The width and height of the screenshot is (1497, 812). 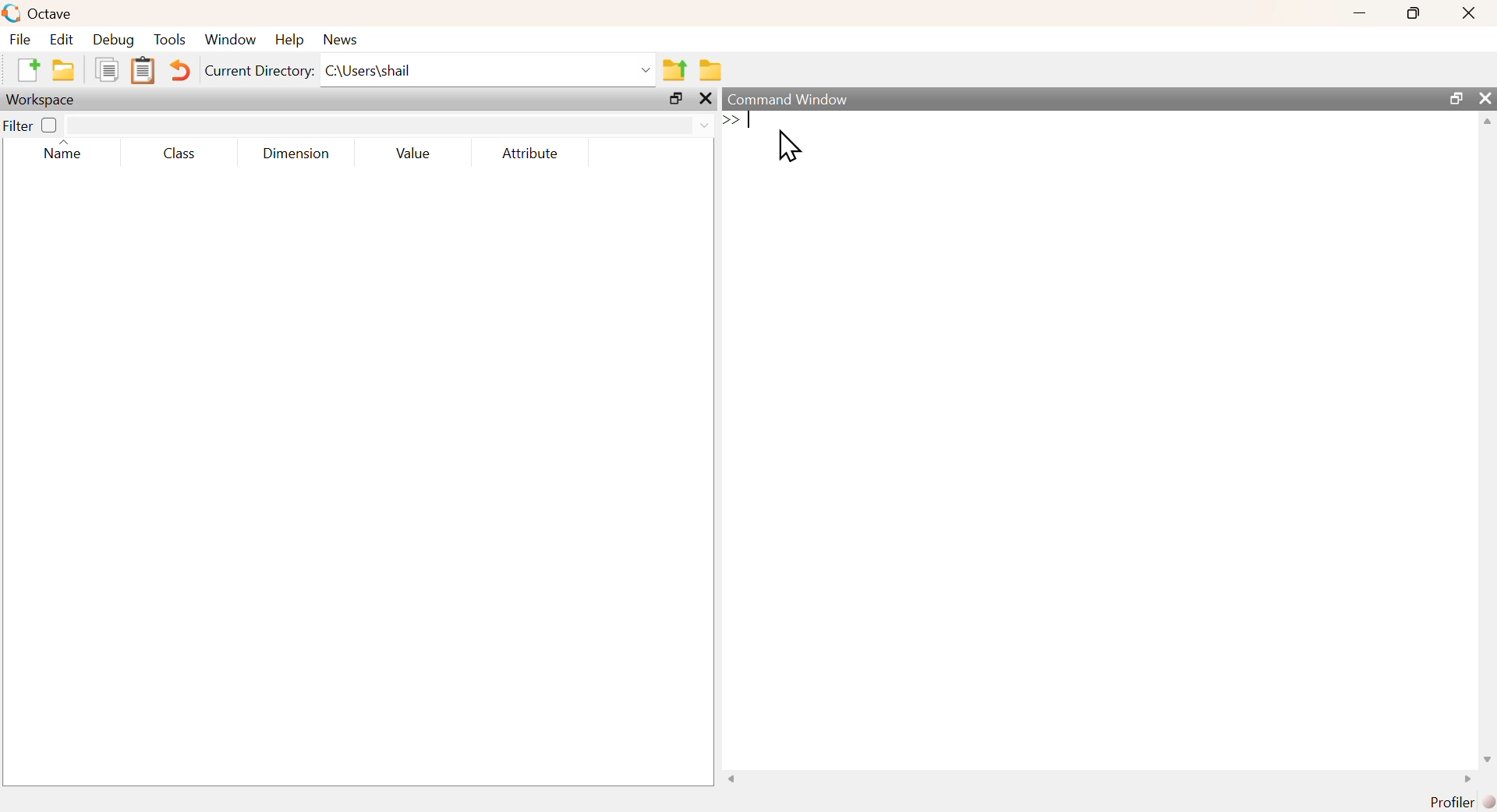 I want to click on maximize, so click(x=1413, y=14).